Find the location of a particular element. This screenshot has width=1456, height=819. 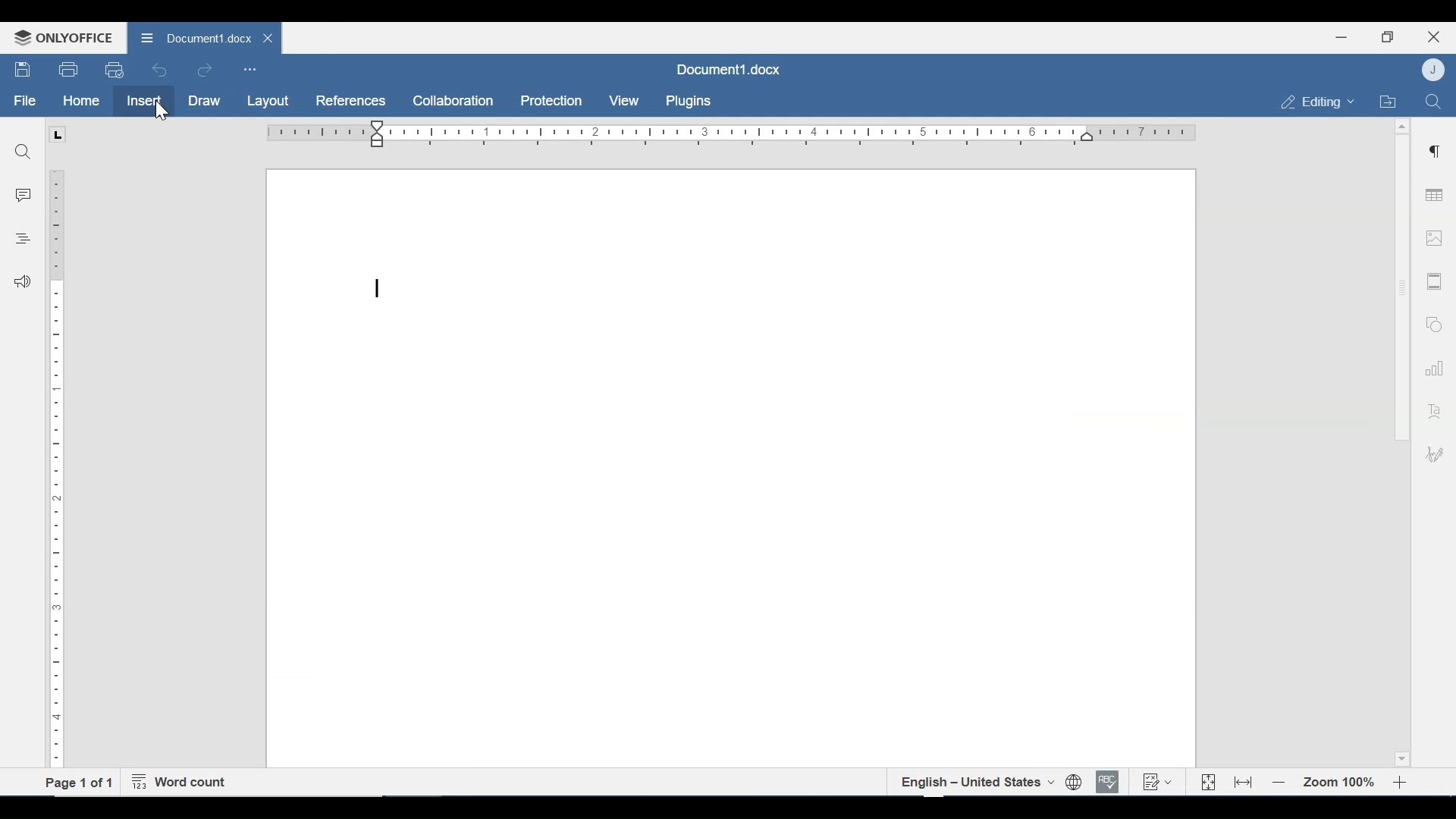

OnlyOffice is located at coordinates (61, 37).